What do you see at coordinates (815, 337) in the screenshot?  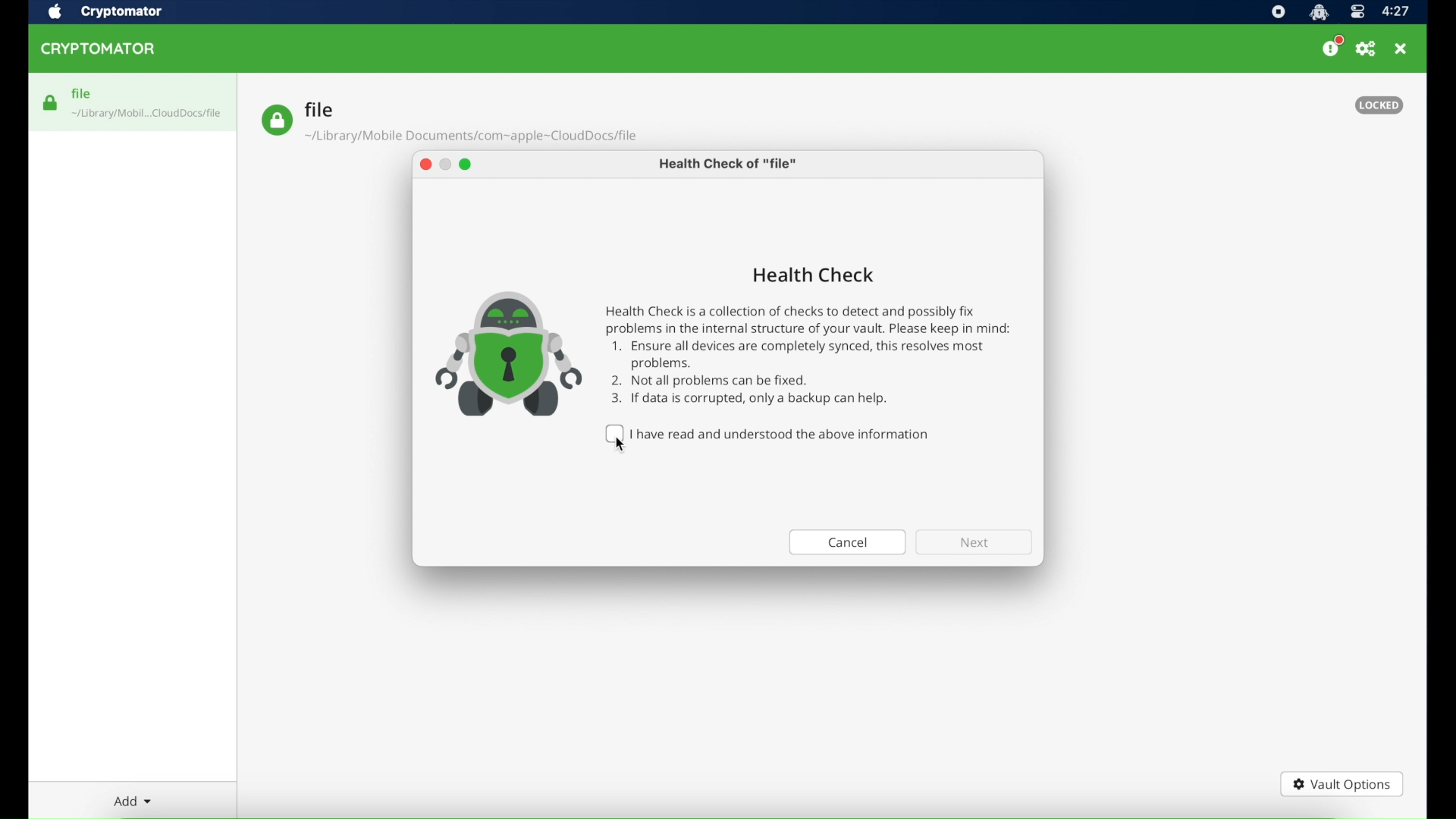 I see `Health Check
Health Check is a collection of checks to detect and possibly fix
problems in the internal structure of your vault. Please keep in mind:
1. Ensure all devices are completely synced, this resolves most
problems.
2. Not all problems can be fixed.
3. If data is corrupted, only a backup can help.` at bounding box center [815, 337].